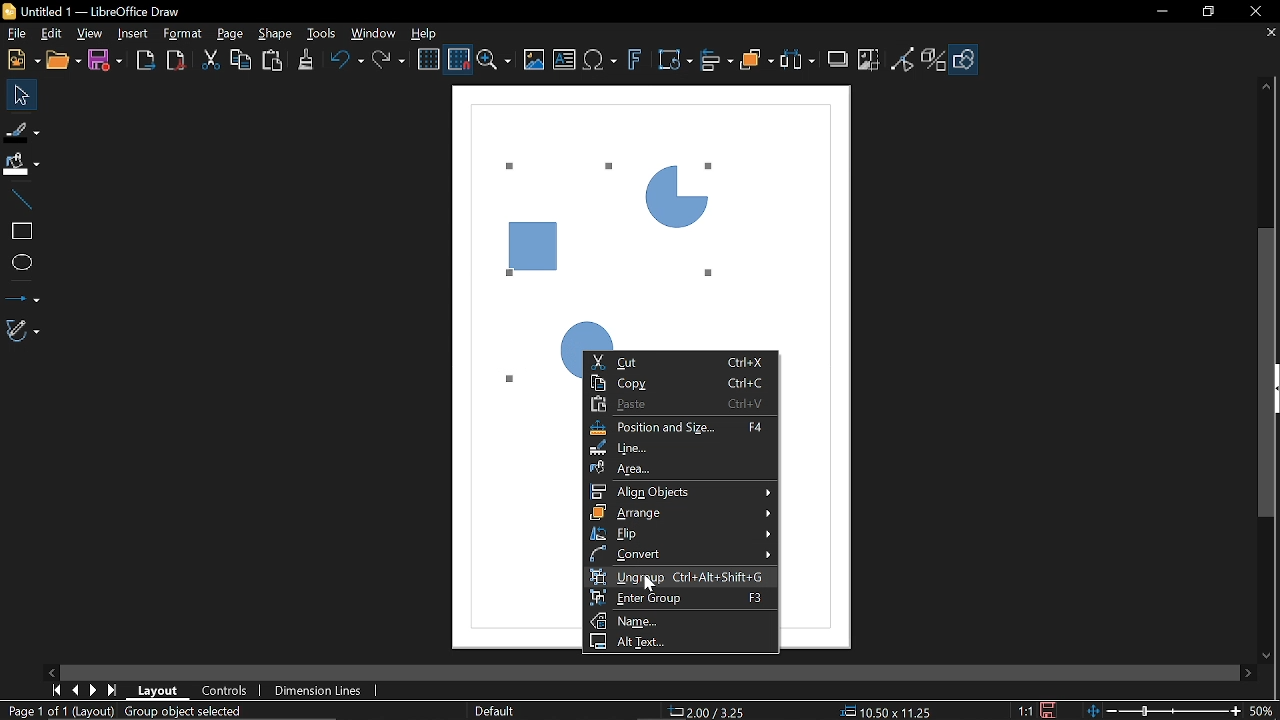 This screenshot has height=720, width=1280. I want to click on Change zoom, so click(1166, 710).